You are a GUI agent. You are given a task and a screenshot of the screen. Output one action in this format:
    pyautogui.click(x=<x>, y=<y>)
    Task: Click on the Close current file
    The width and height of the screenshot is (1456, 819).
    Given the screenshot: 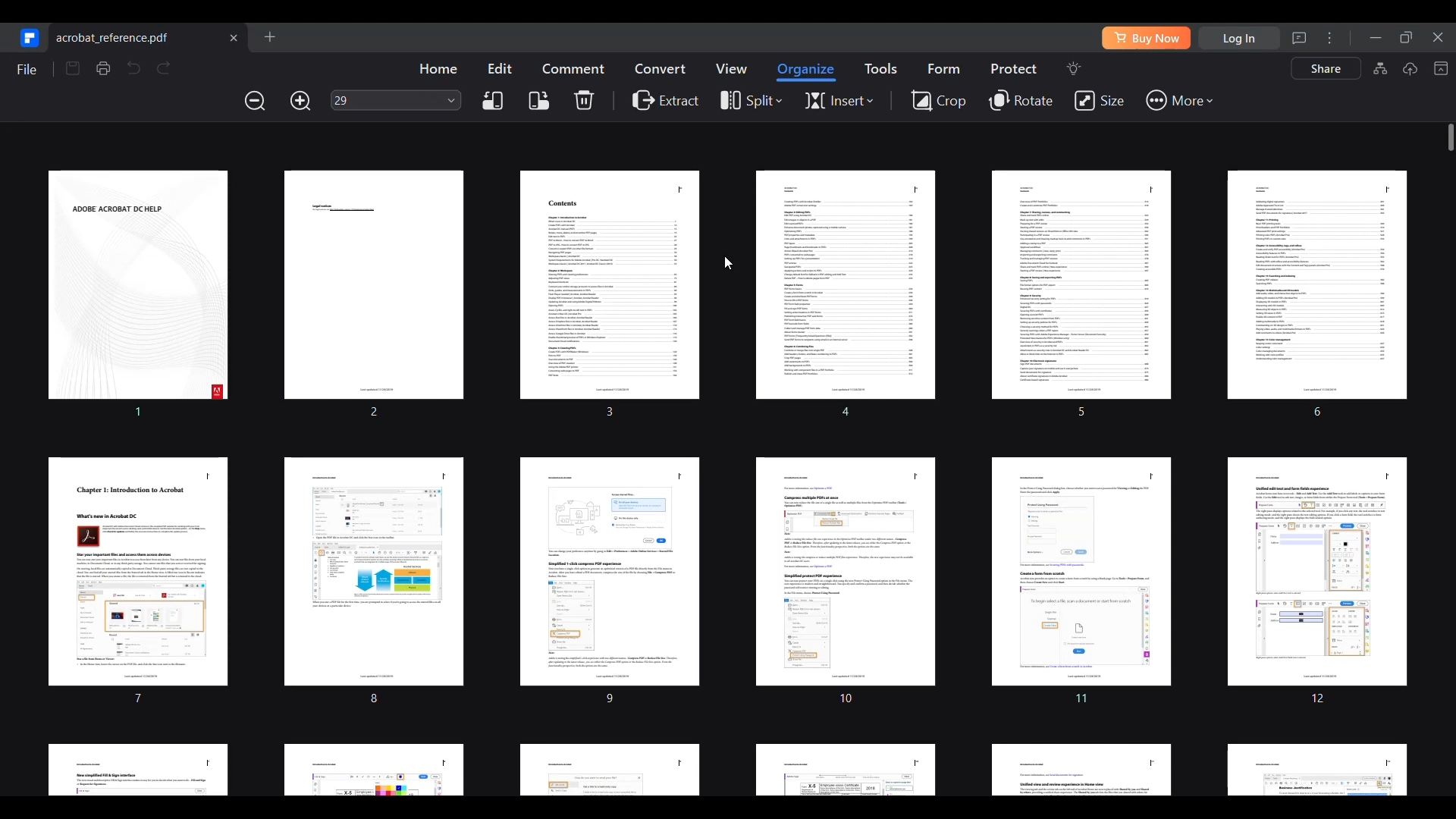 What is the action you would take?
    pyautogui.click(x=233, y=37)
    